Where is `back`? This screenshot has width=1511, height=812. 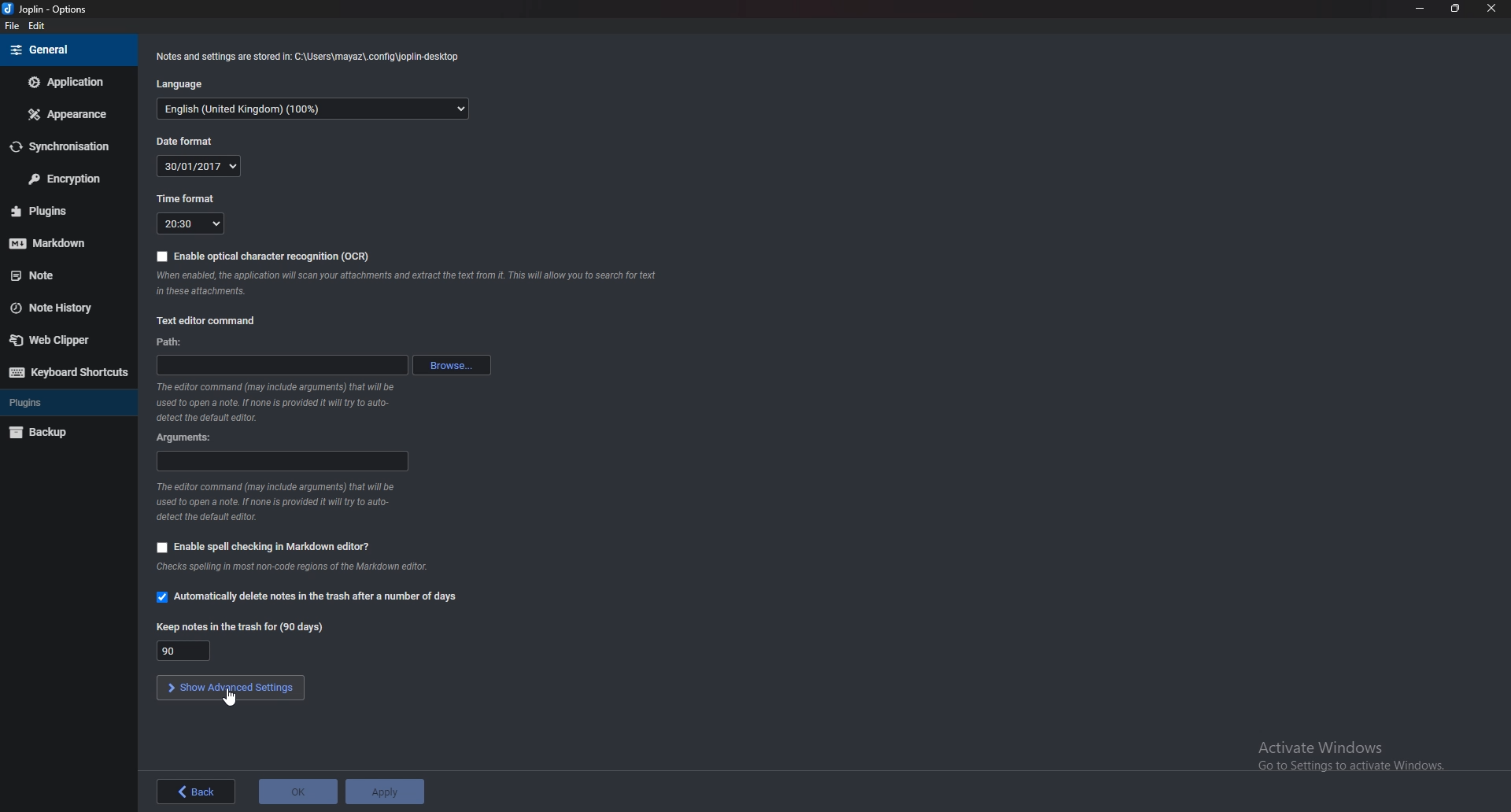
back is located at coordinates (196, 792).